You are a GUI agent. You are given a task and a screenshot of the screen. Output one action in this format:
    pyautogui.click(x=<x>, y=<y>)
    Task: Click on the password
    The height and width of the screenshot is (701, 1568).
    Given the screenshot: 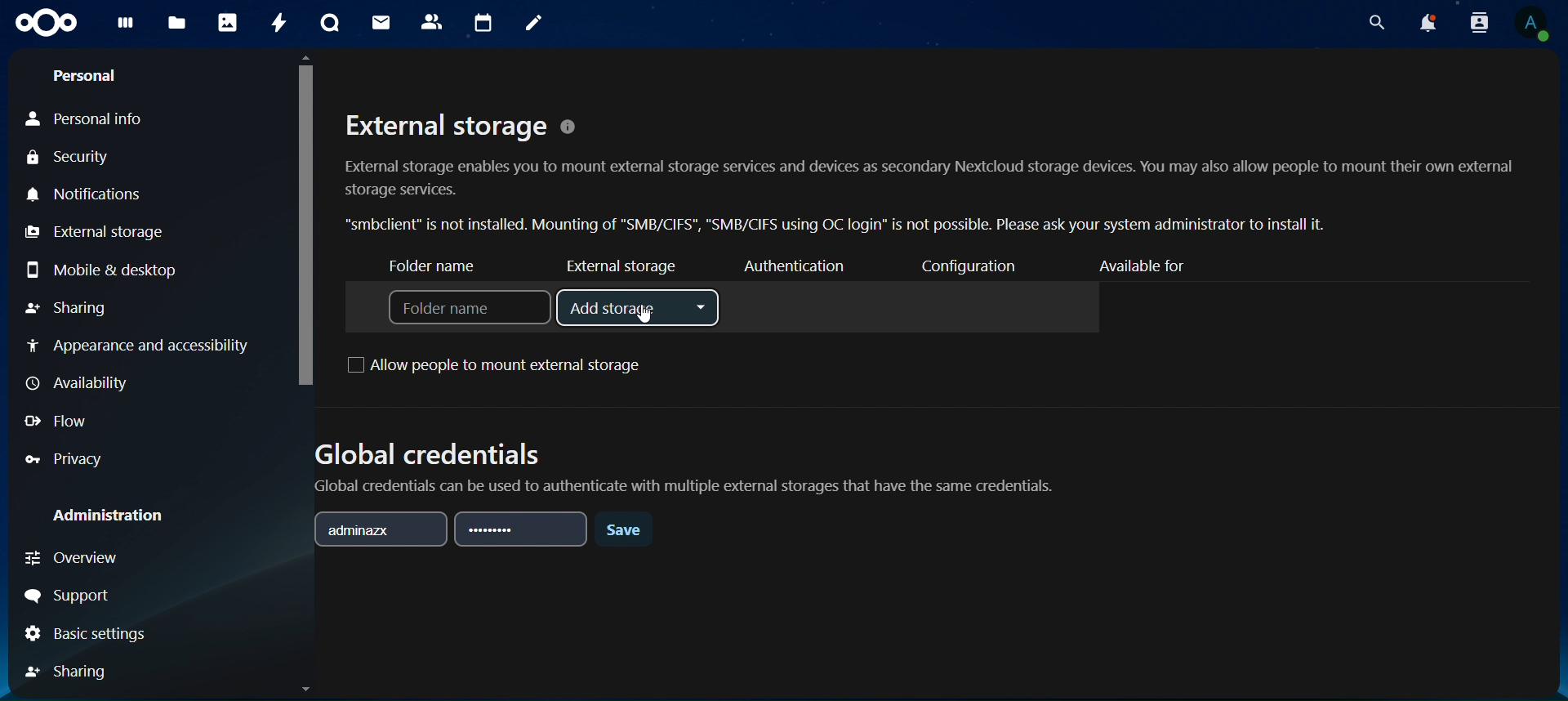 What is the action you would take?
    pyautogui.click(x=523, y=529)
    